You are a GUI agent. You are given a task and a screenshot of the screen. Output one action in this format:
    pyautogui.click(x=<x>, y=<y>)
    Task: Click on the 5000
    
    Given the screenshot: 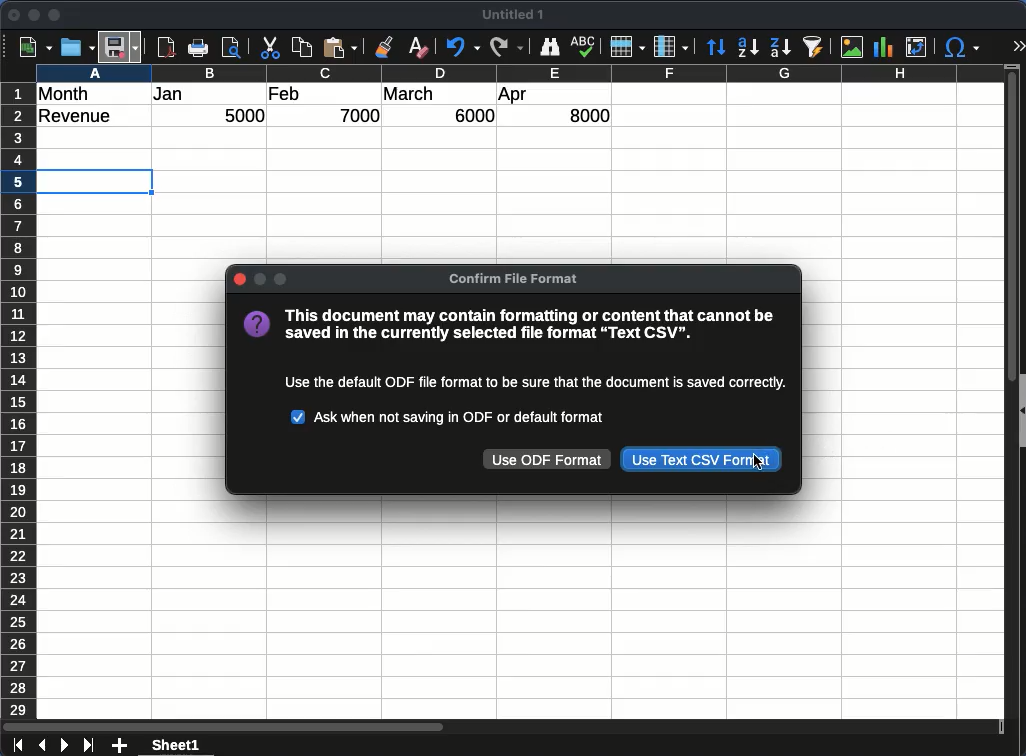 What is the action you would take?
    pyautogui.click(x=247, y=117)
    